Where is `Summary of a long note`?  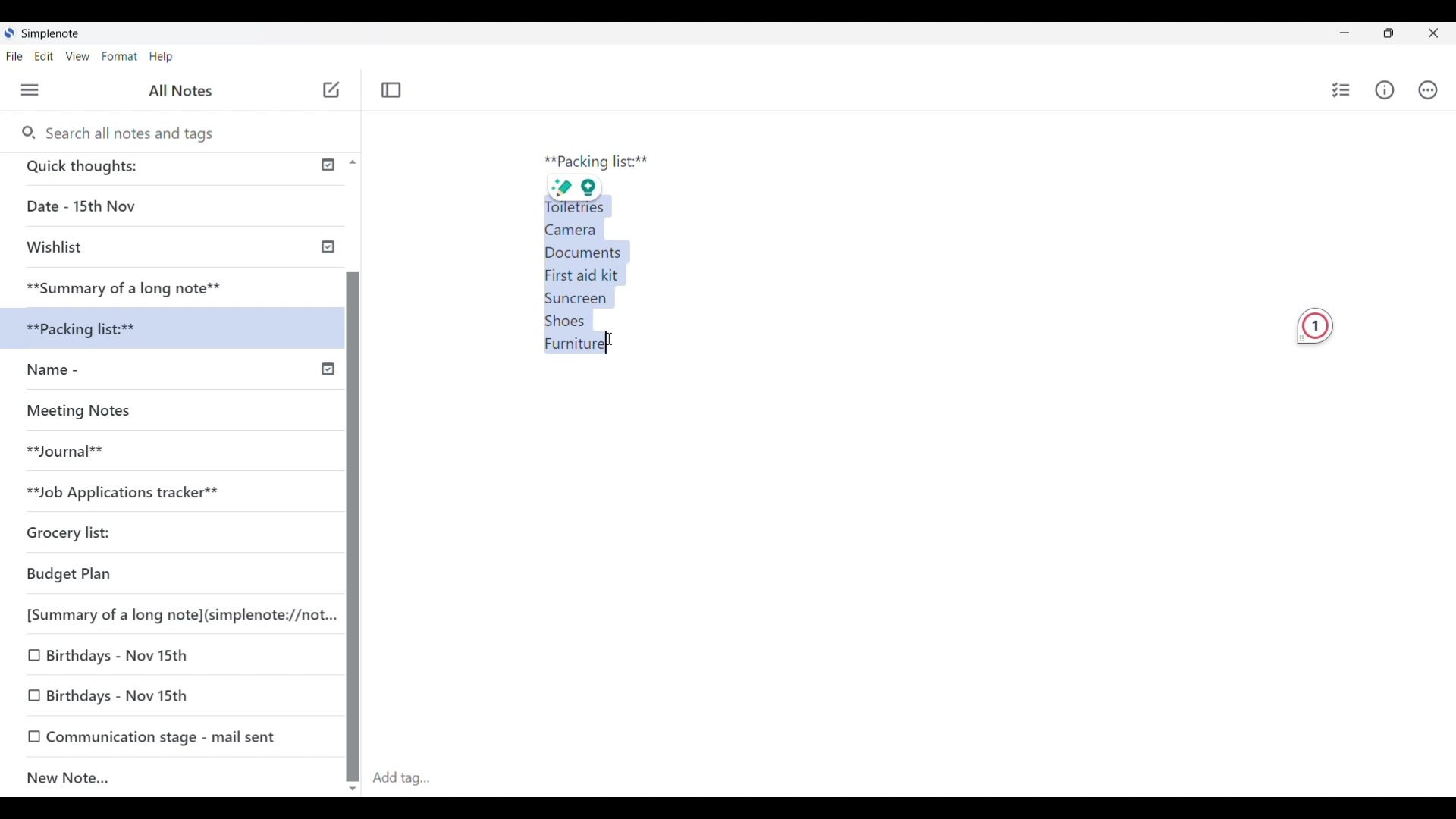
Summary of a long note is located at coordinates (126, 286).